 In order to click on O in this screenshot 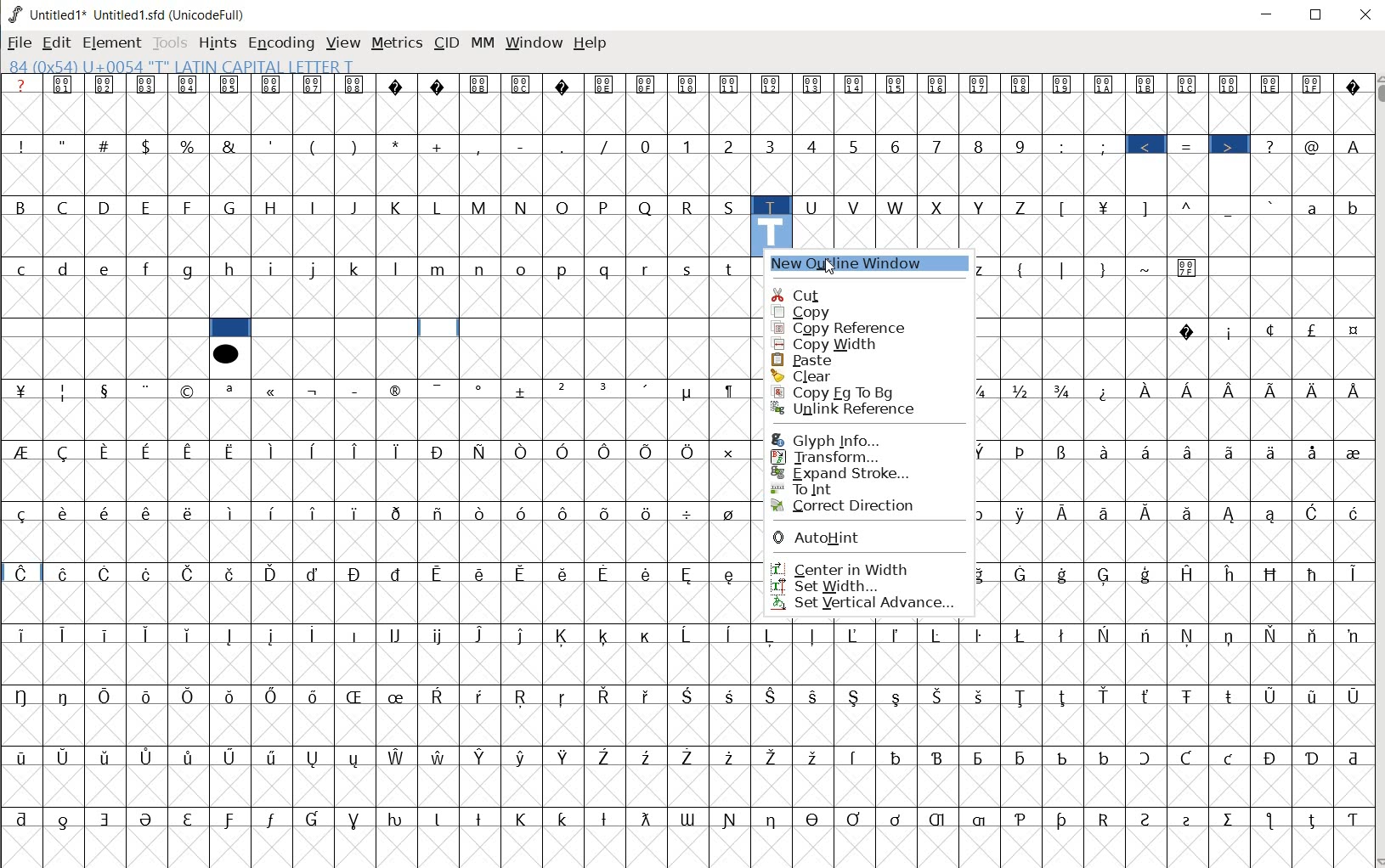, I will do `click(565, 208)`.